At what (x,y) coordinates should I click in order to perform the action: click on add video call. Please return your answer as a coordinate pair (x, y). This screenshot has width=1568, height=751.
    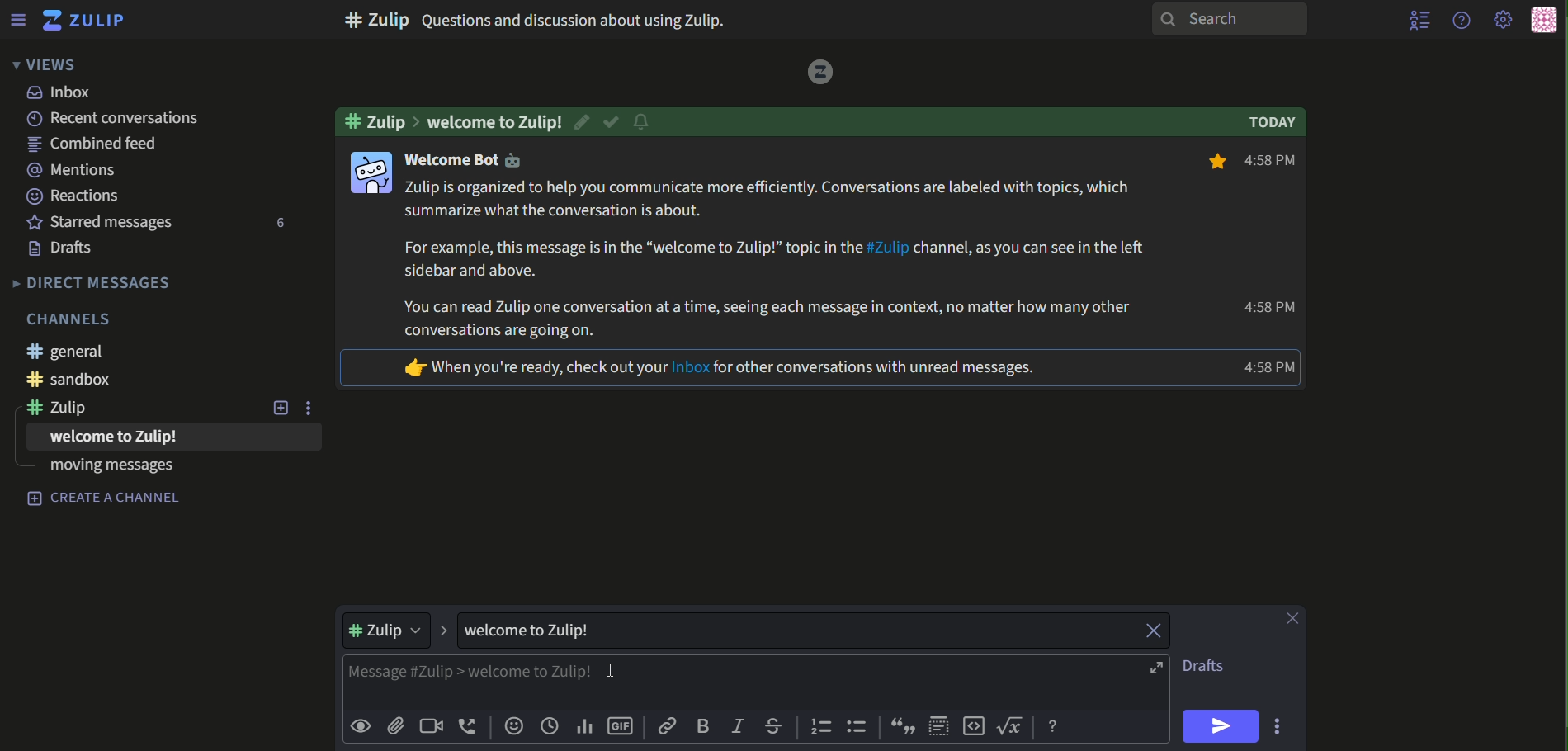
    Looking at the image, I should click on (430, 725).